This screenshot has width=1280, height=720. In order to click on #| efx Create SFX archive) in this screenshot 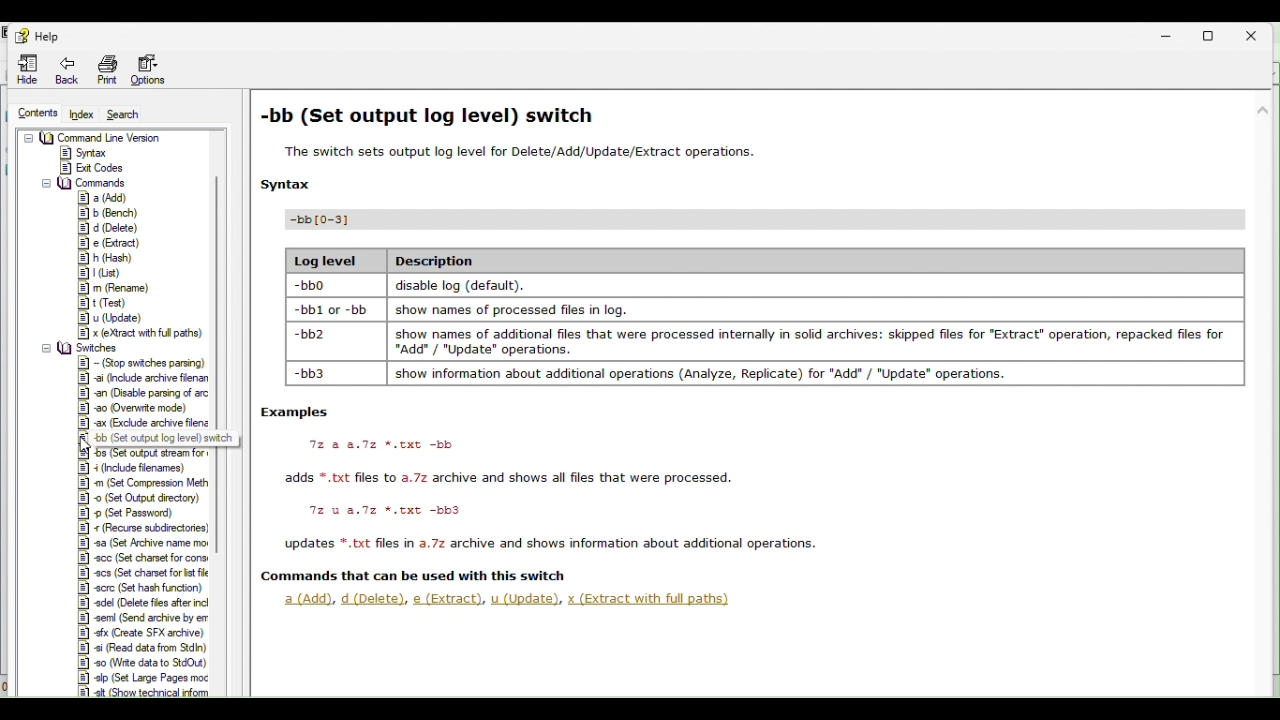, I will do `click(141, 633)`.